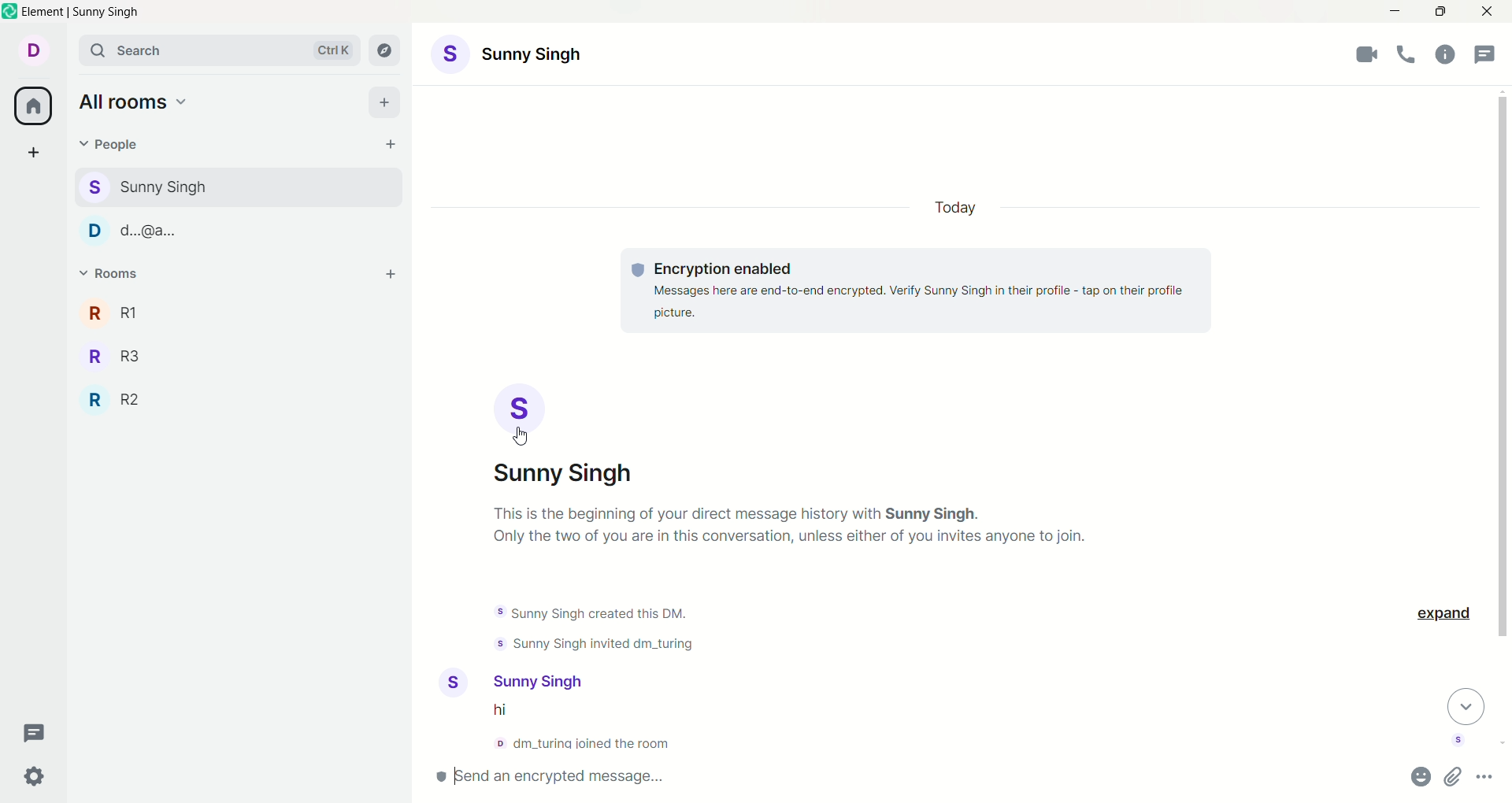  What do you see at coordinates (1455, 776) in the screenshot?
I see `Attach document` at bounding box center [1455, 776].